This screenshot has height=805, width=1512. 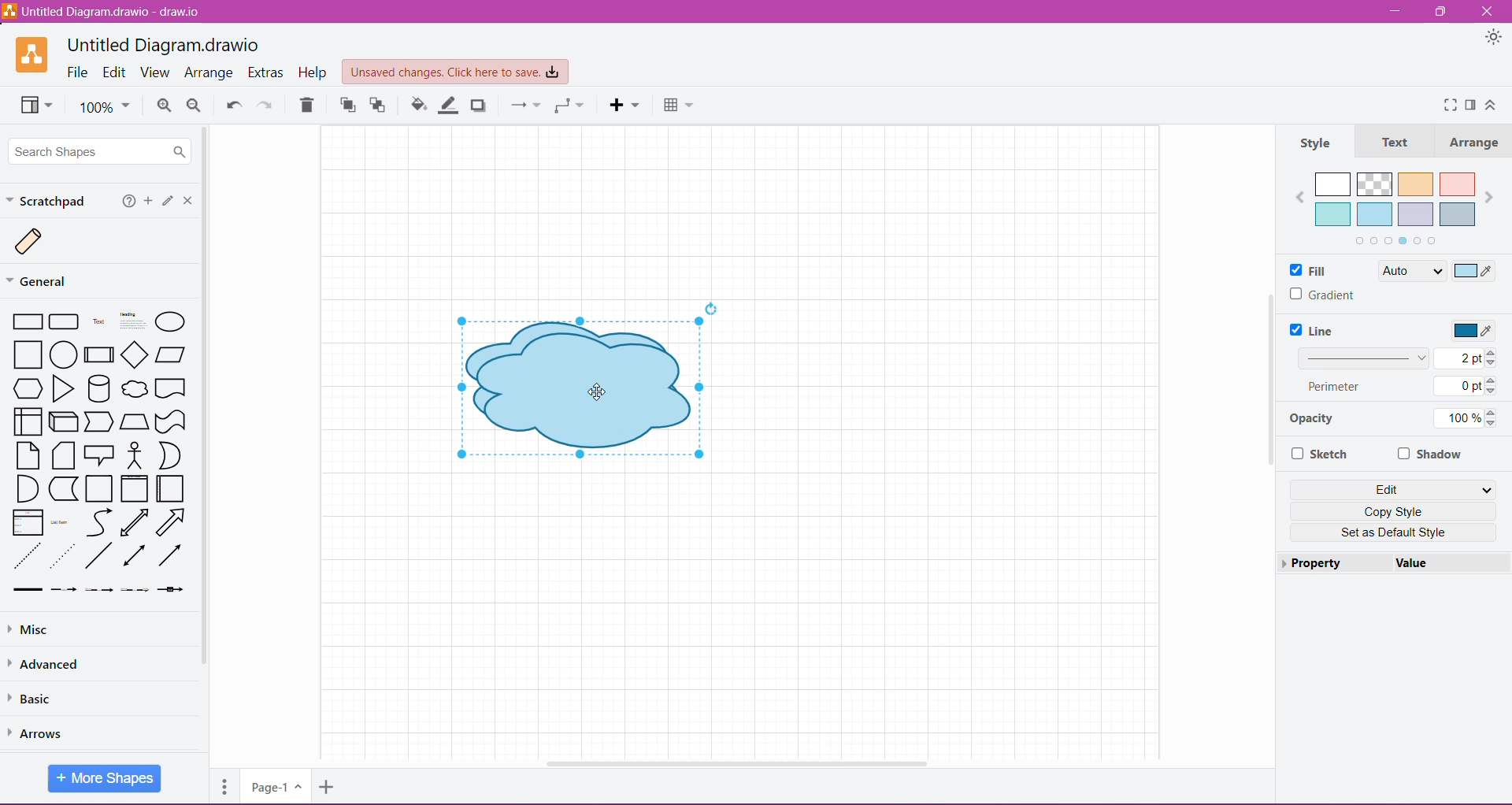 What do you see at coordinates (191, 202) in the screenshot?
I see `Close` at bounding box center [191, 202].